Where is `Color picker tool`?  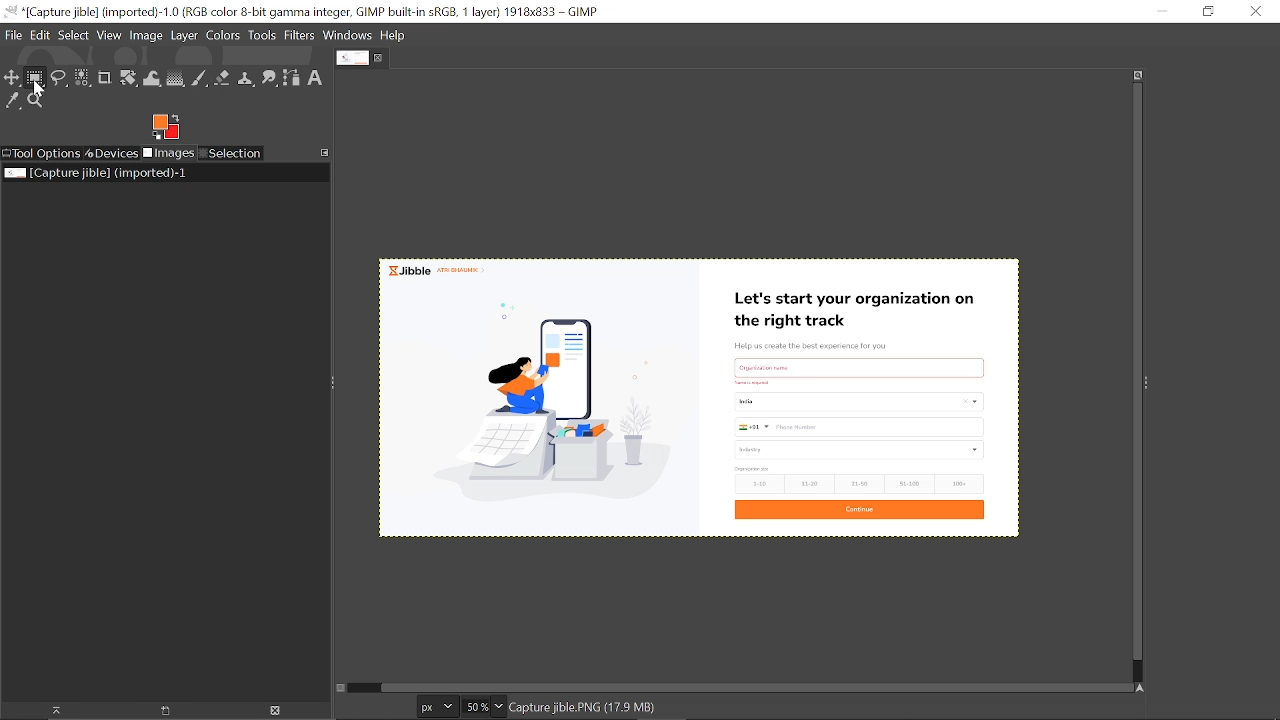
Color picker tool is located at coordinates (13, 102).